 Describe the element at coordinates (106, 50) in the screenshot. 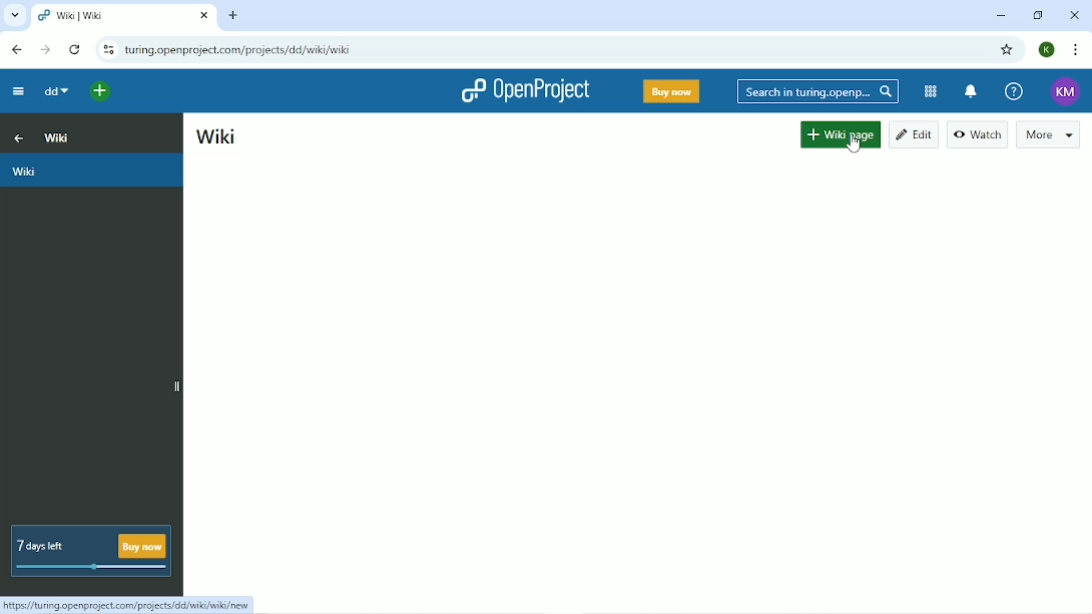

I see `View site information` at that location.